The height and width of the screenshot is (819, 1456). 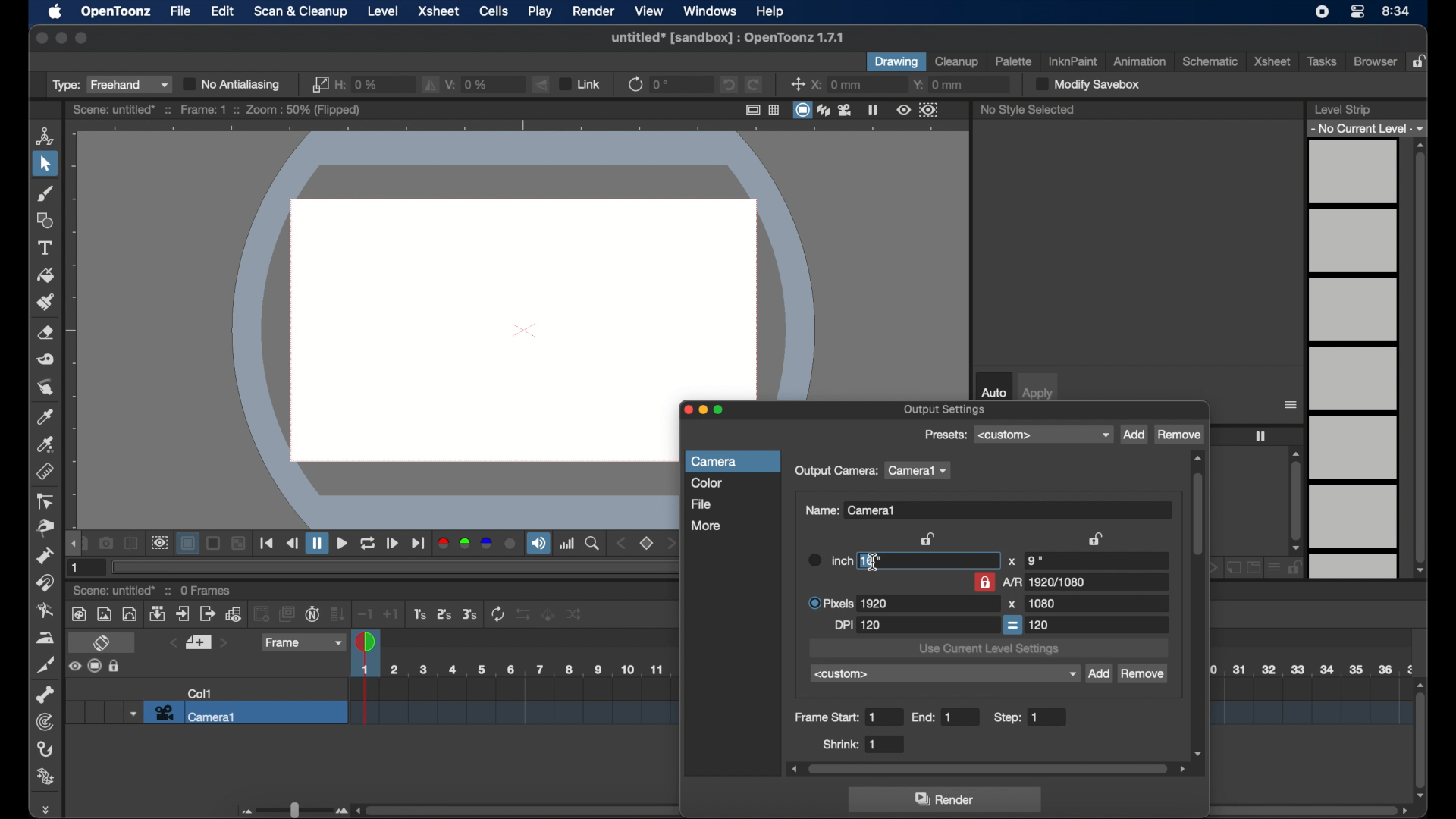 I want to click on fill tool, so click(x=46, y=276).